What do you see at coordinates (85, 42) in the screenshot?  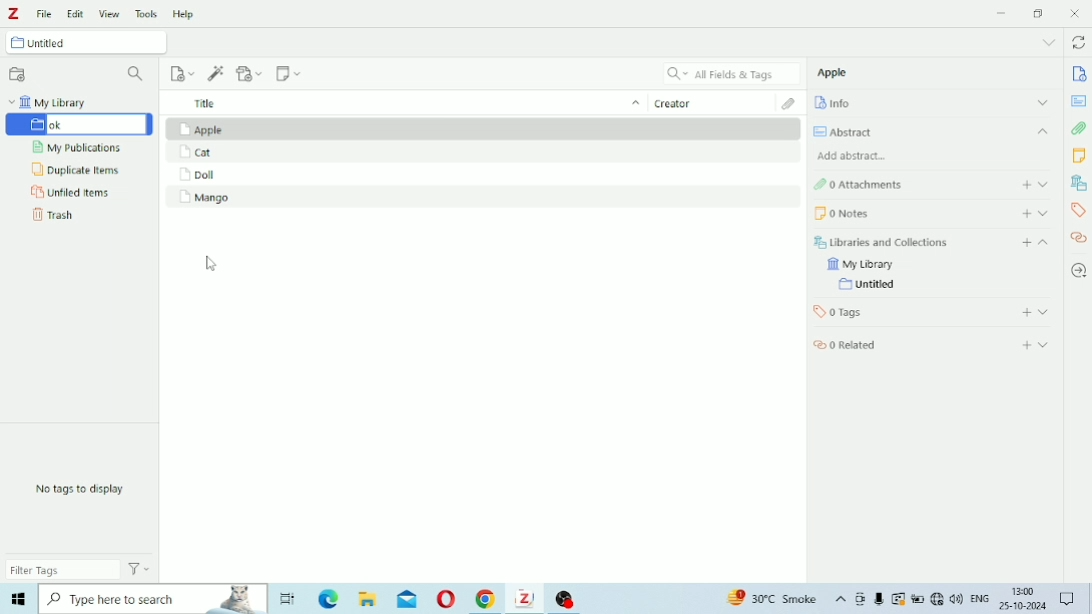 I see `Untitled` at bounding box center [85, 42].